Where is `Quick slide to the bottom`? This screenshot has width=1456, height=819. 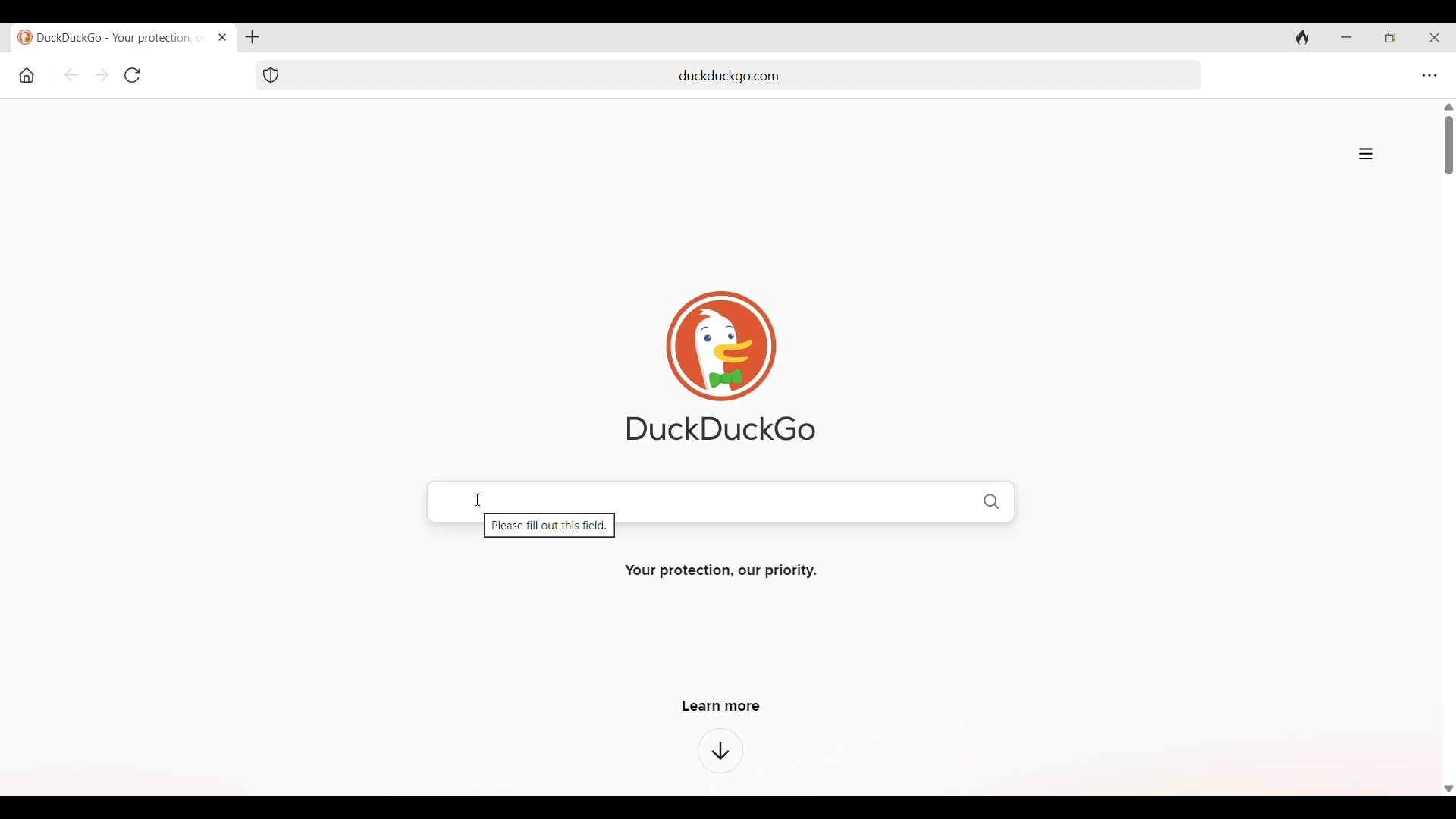
Quick slide to the bottom is located at coordinates (1448, 789).